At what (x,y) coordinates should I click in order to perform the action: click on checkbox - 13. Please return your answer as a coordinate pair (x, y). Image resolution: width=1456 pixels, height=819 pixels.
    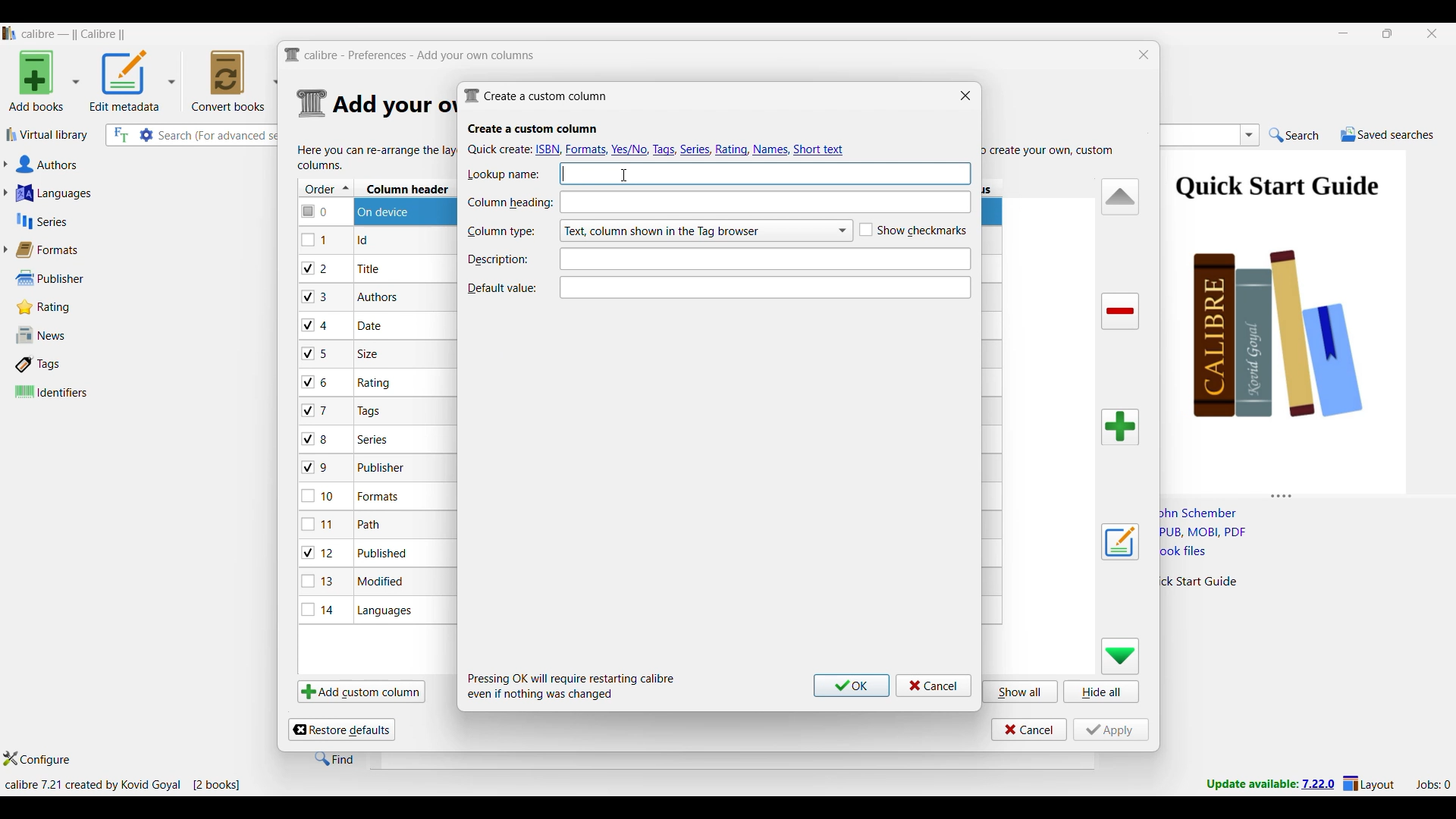
    Looking at the image, I should click on (318, 581).